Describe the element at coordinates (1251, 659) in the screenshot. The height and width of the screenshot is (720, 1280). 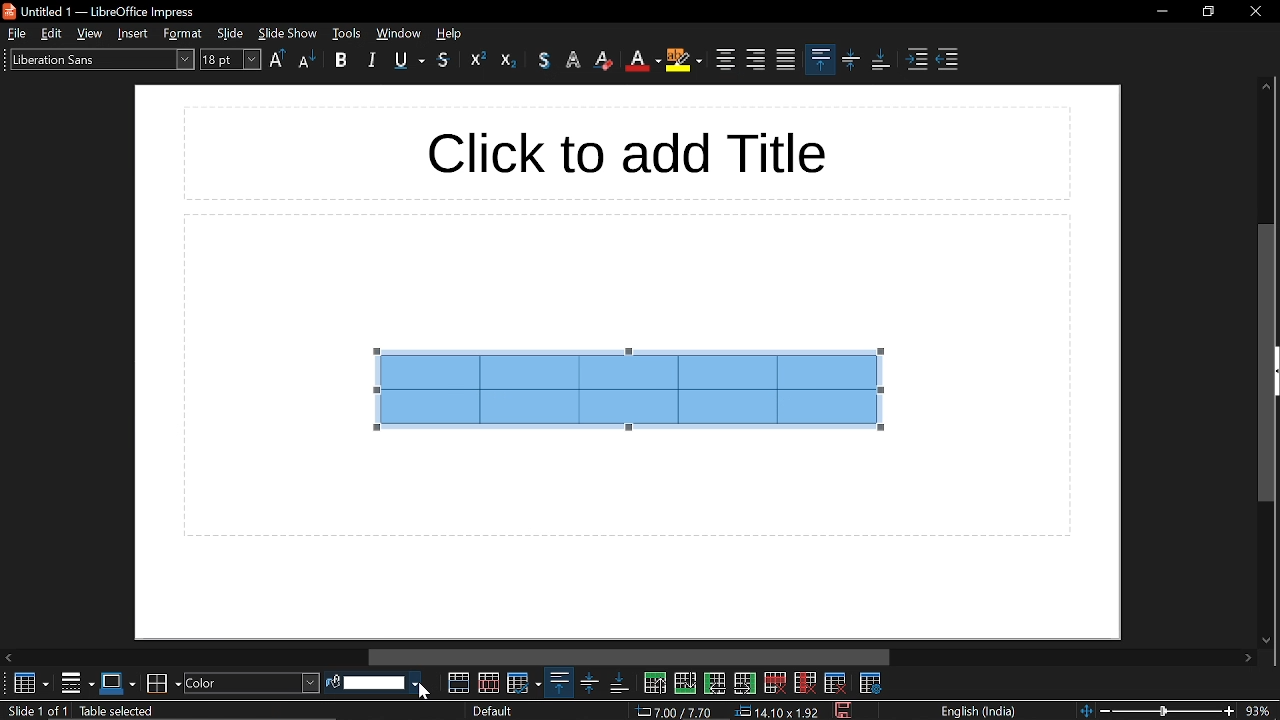
I see `move right` at that location.